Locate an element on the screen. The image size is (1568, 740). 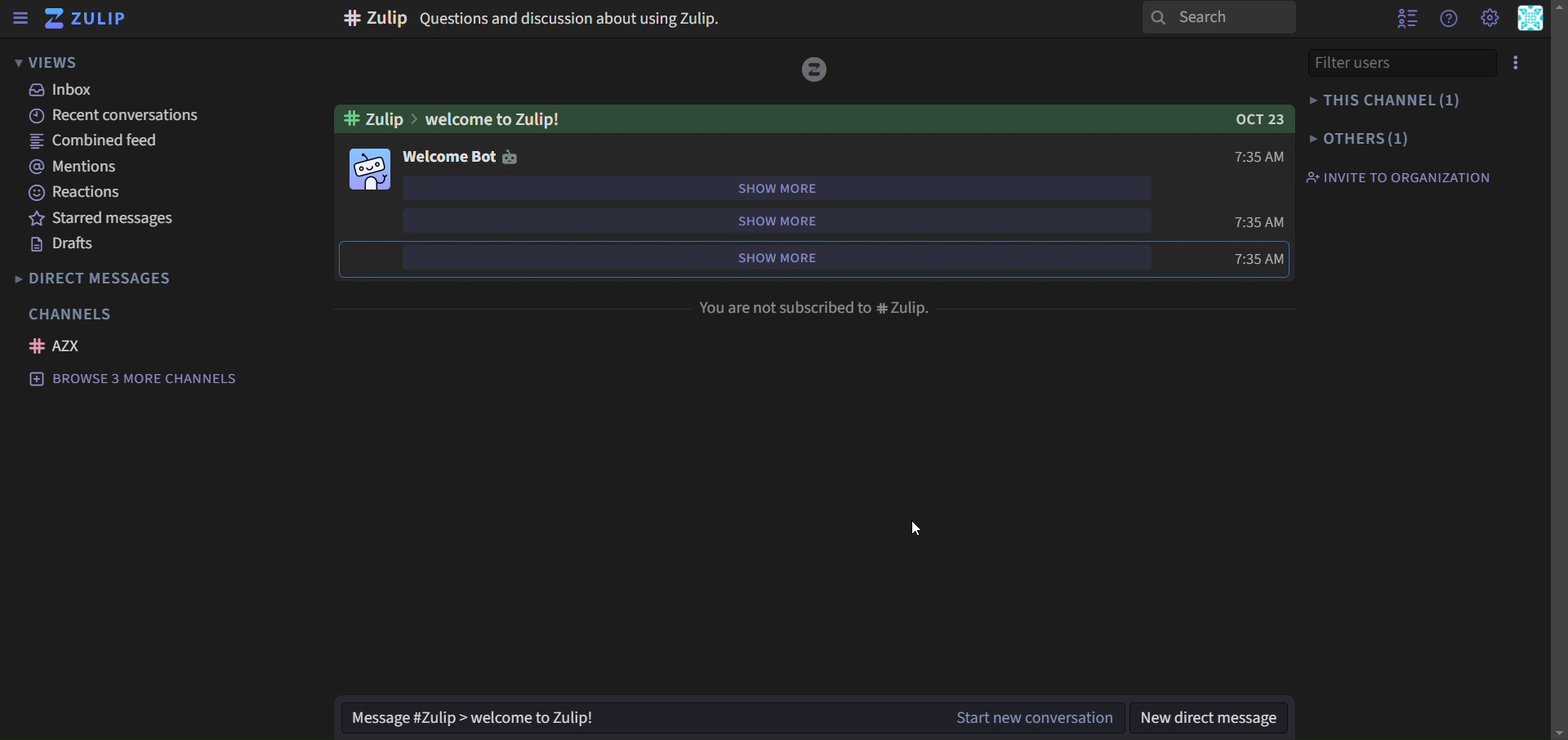
invite to organisation is located at coordinates (1397, 176).